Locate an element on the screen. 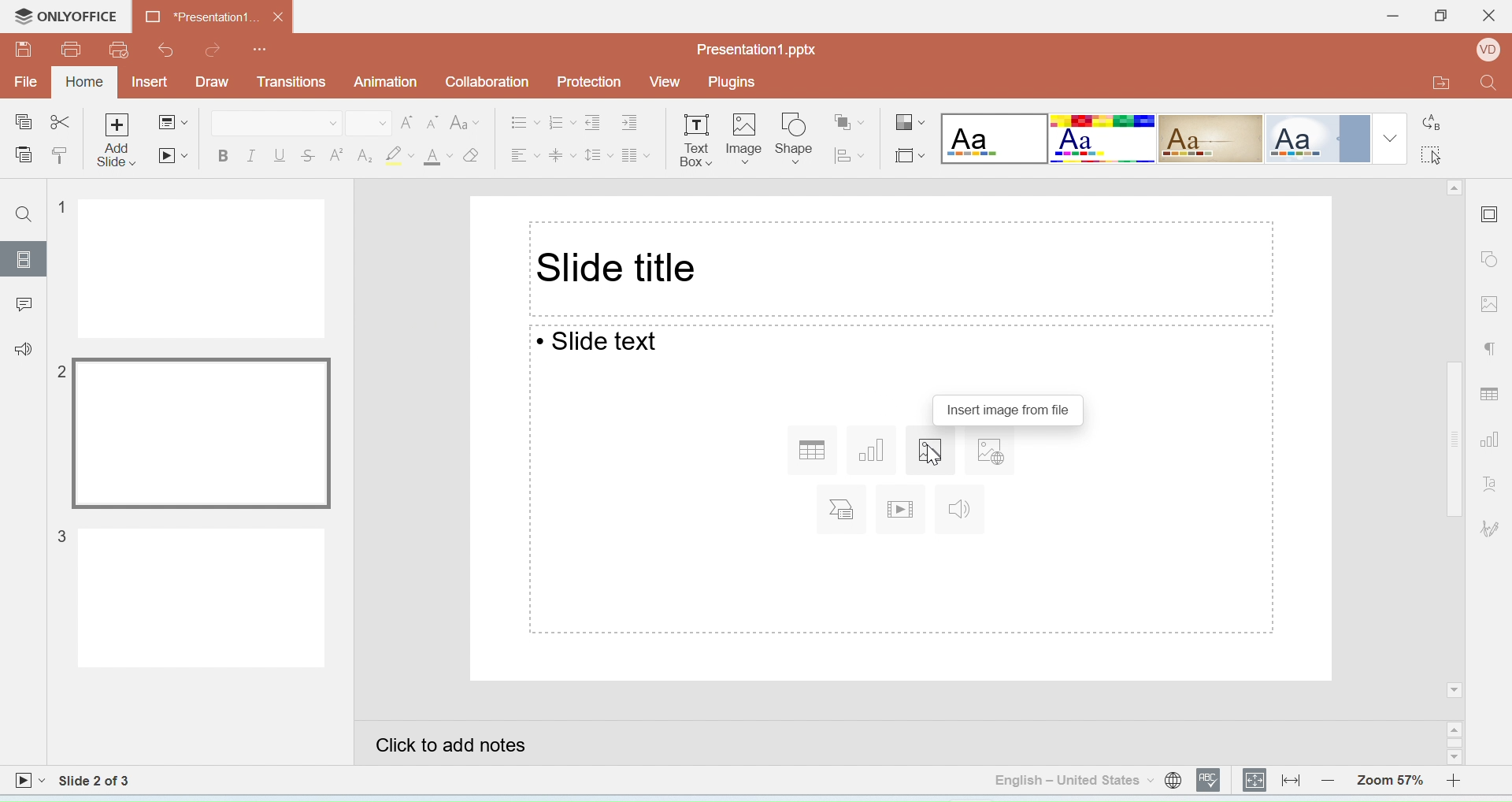 This screenshot has height=802, width=1512. insert video is located at coordinates (902, 509).